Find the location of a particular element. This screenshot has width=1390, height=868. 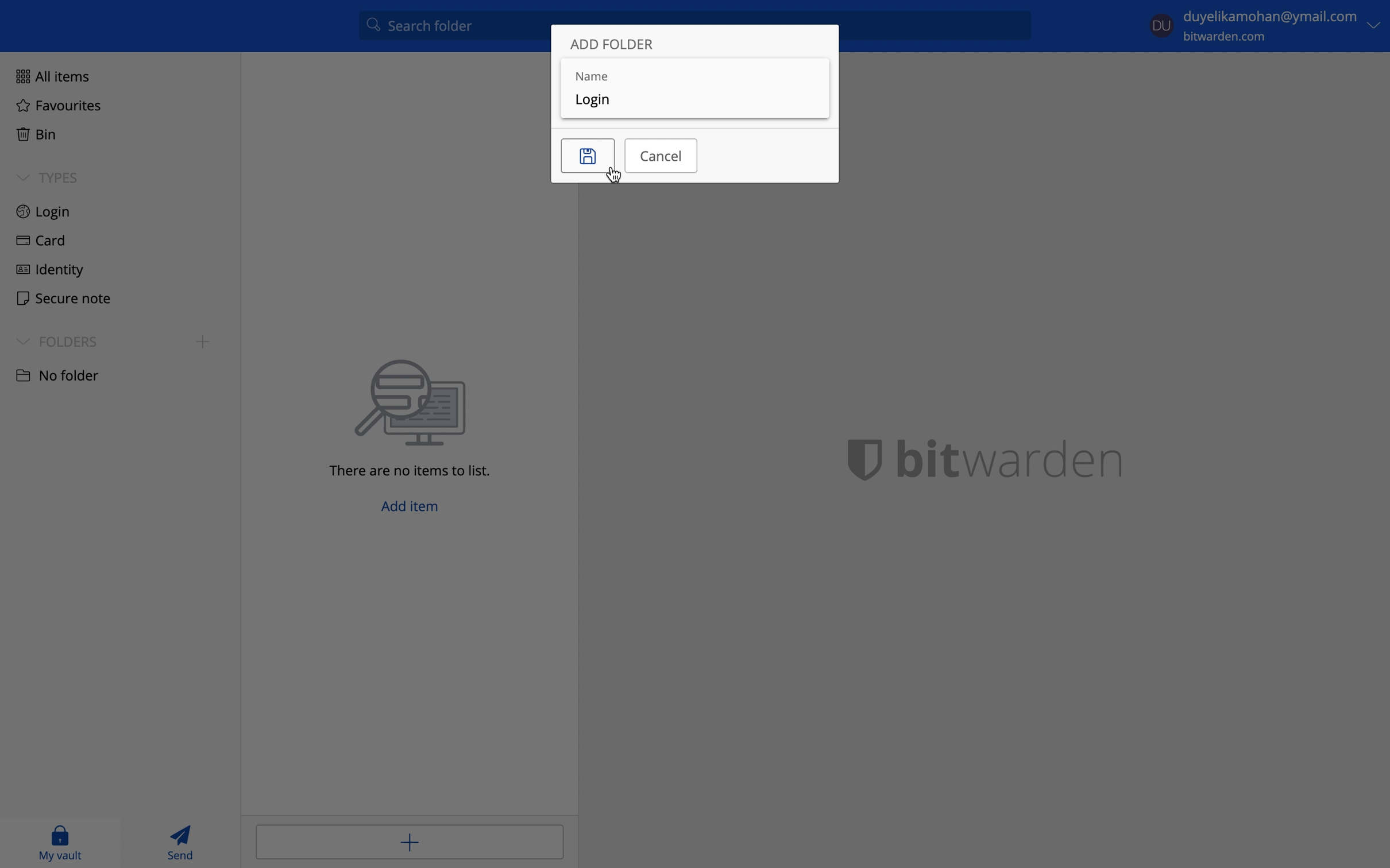

bitwarden is located at coordinates (999, 457).